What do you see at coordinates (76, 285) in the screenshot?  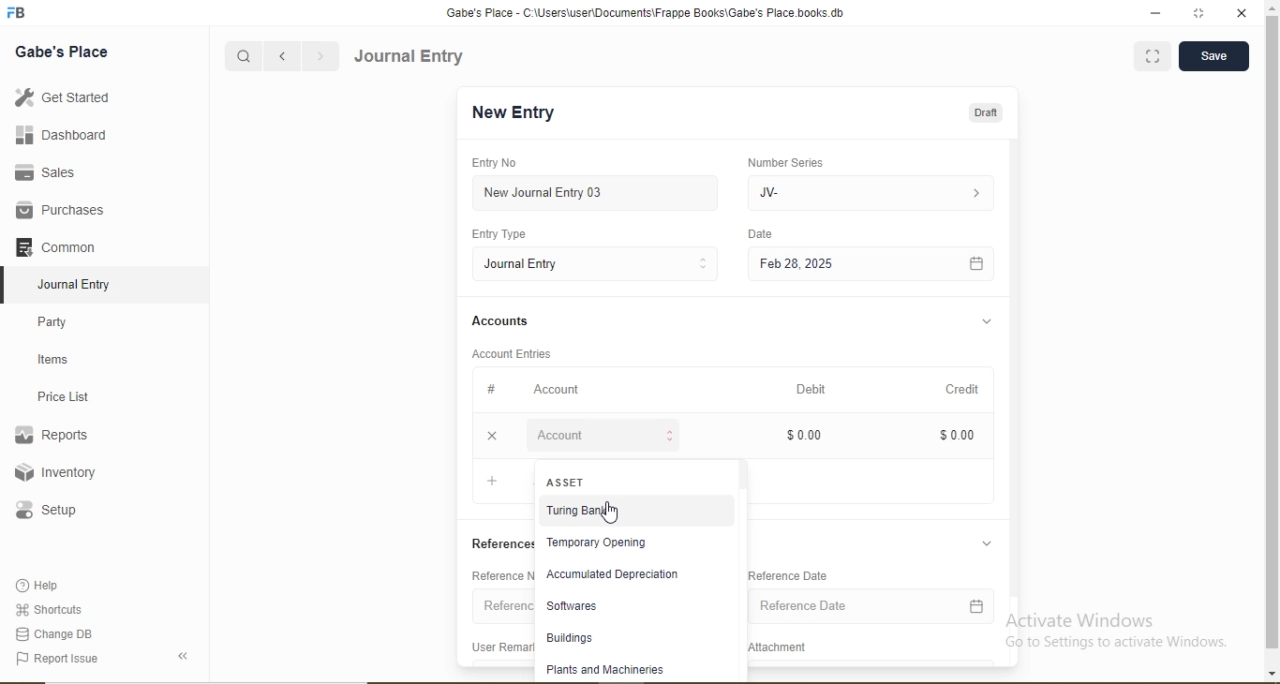 I see `Journal Entry` at bounding box center [76, 285].